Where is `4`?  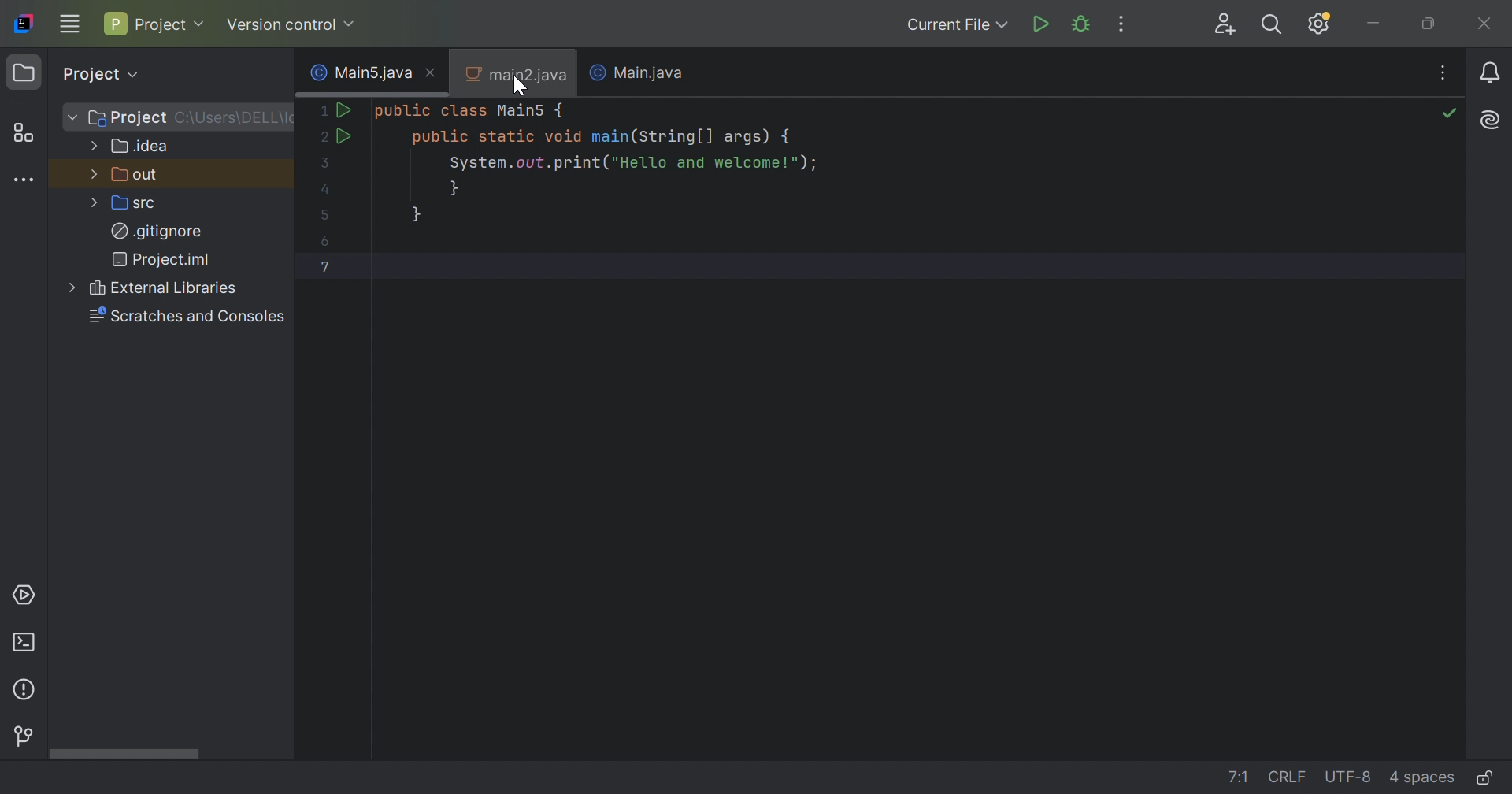 4 is located at coordinates (324, 188).